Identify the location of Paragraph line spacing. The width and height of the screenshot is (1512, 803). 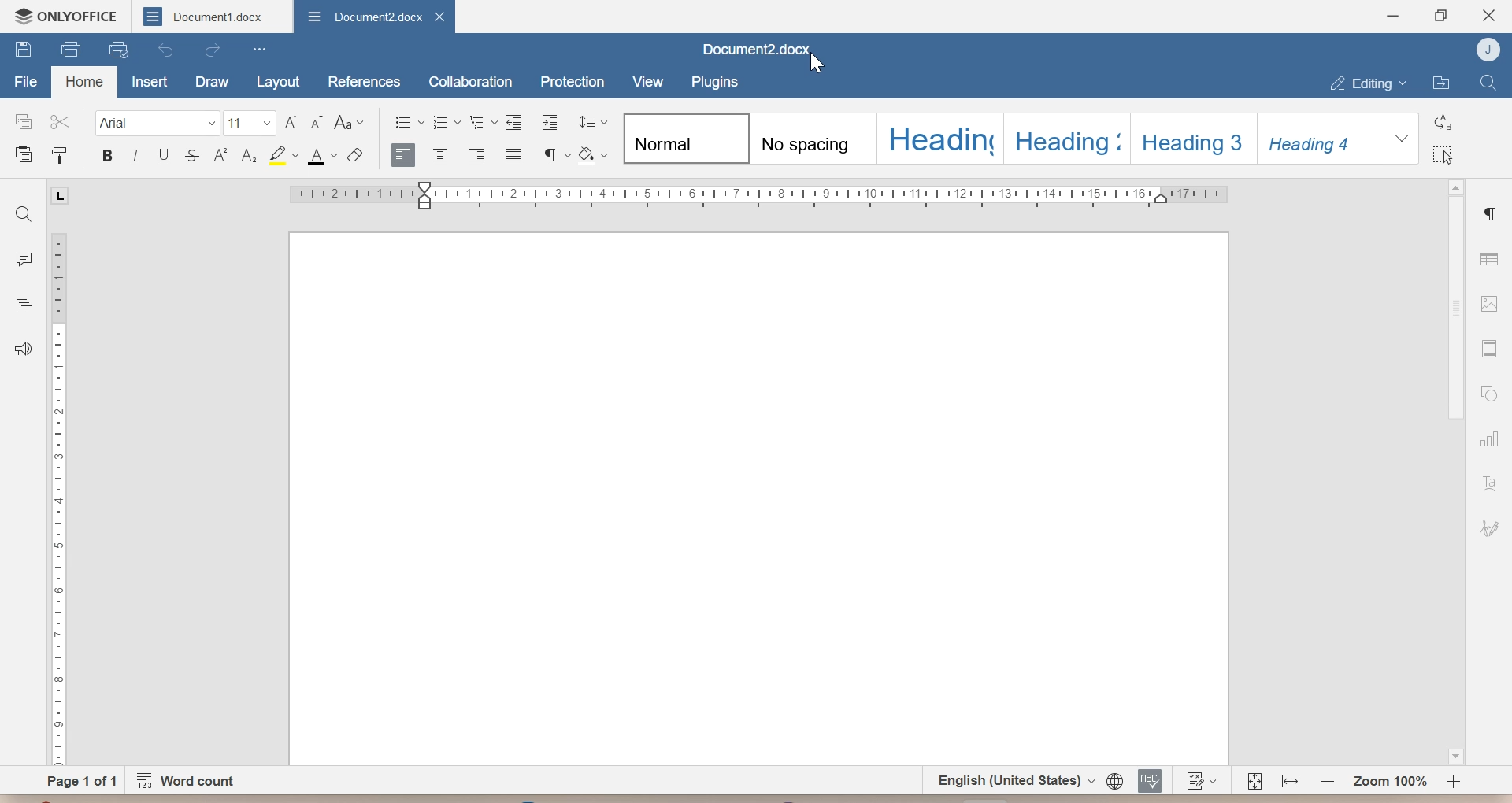
(591, 122).